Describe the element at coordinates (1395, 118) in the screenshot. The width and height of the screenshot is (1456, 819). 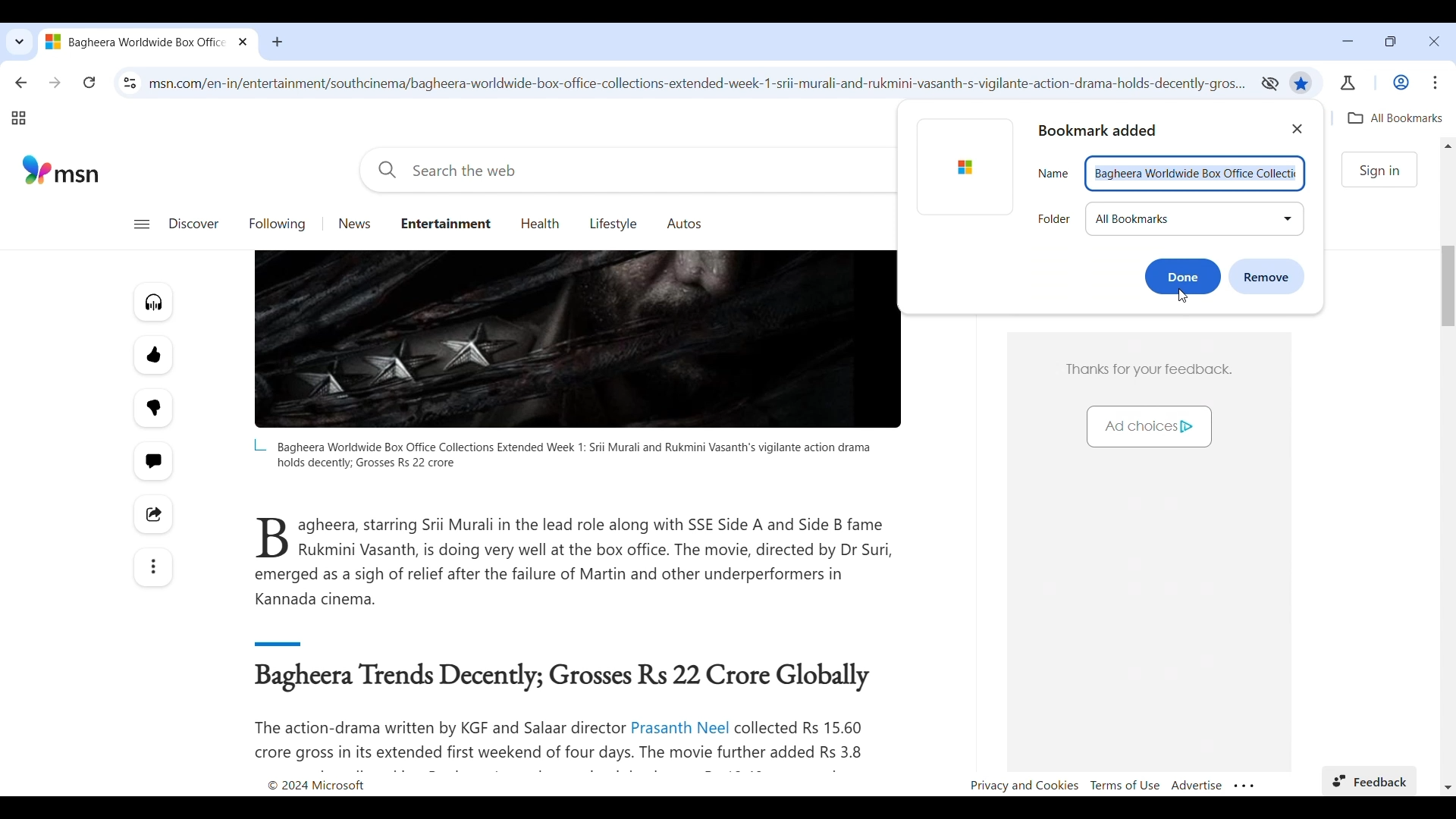
I see `Description of Bookmark this tab` at that location.